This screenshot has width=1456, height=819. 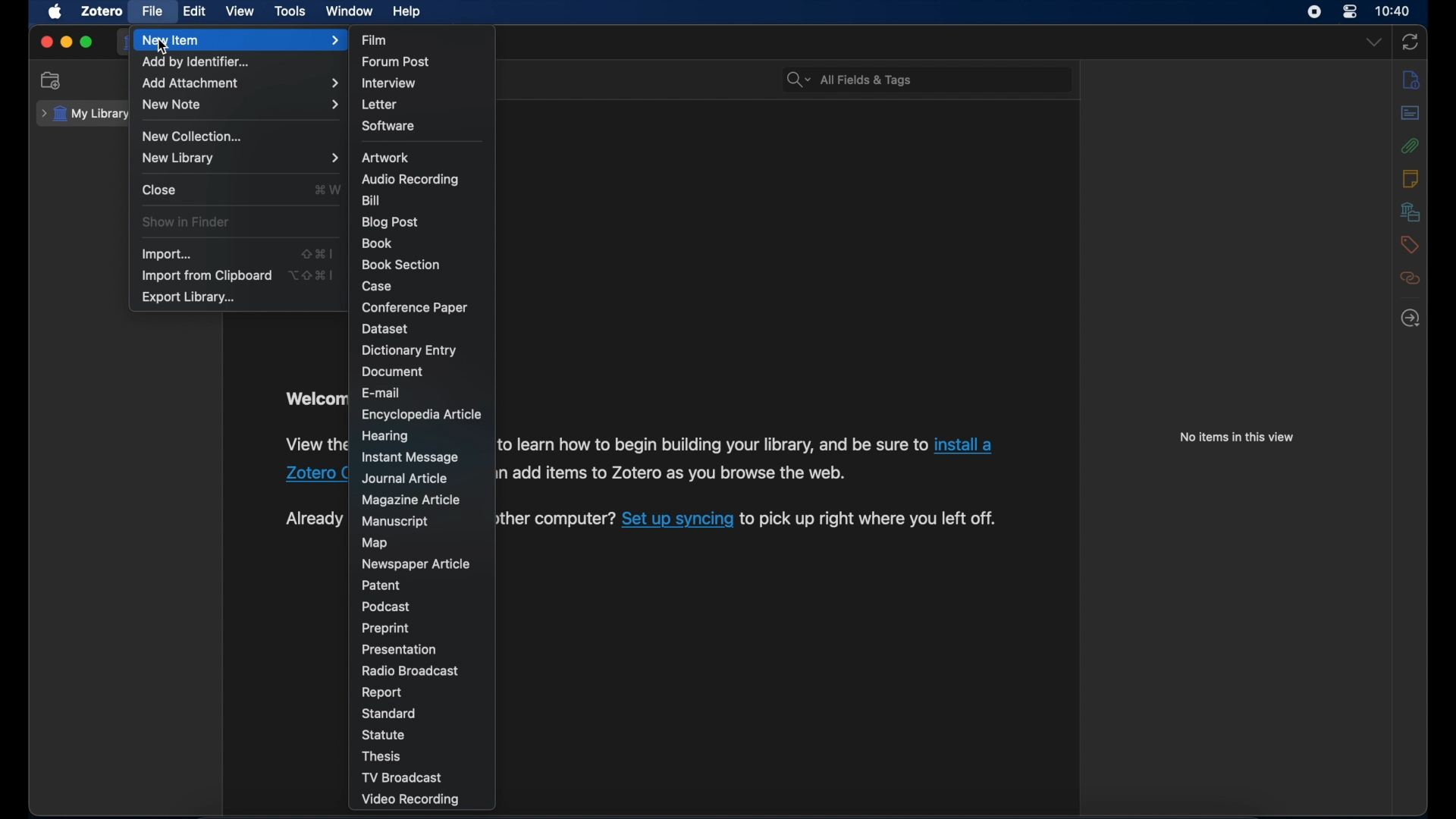 I want to click on interview, so click(x=390, y=84).